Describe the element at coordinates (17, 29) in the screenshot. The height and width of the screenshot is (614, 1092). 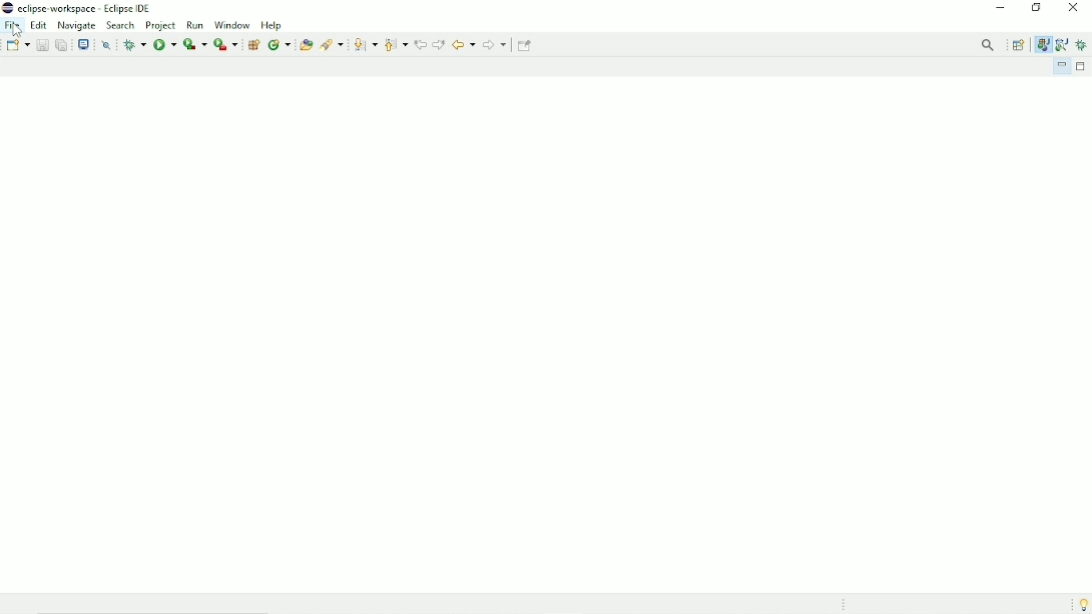
I see `Cursor` at that location.